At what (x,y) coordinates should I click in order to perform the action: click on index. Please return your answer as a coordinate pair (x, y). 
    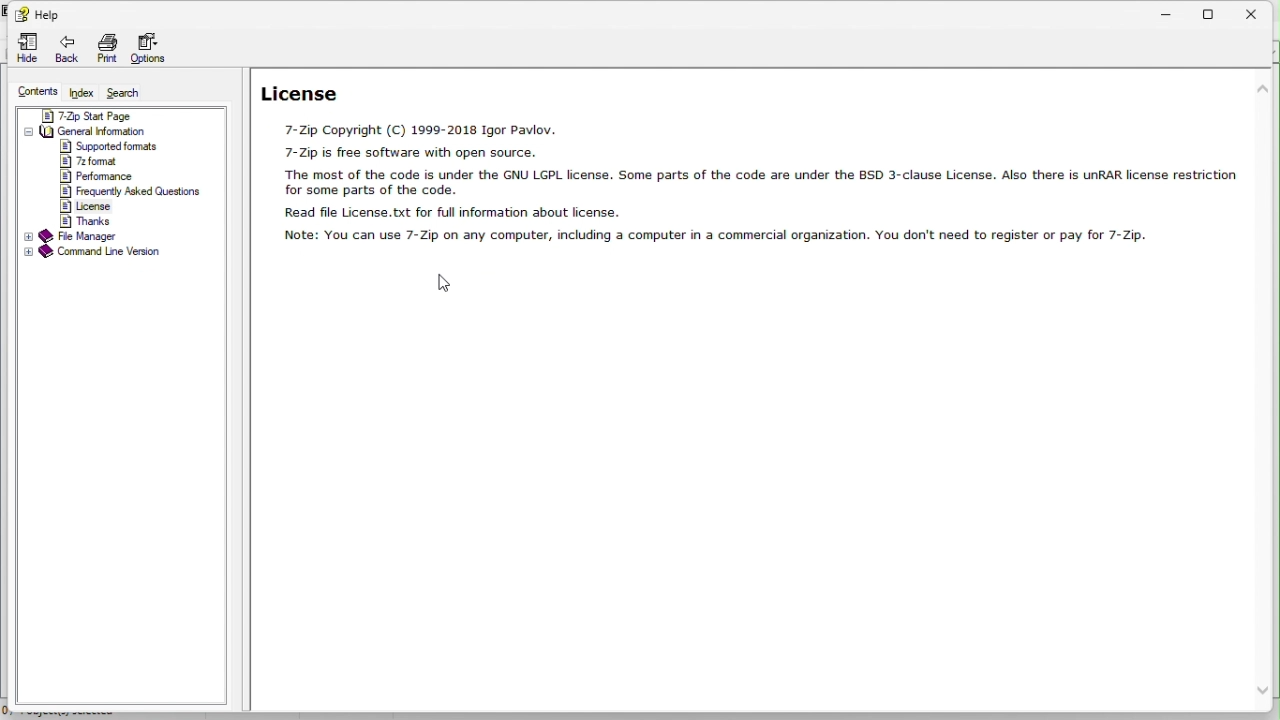
    Looking at the image, I should click on (82, 93).